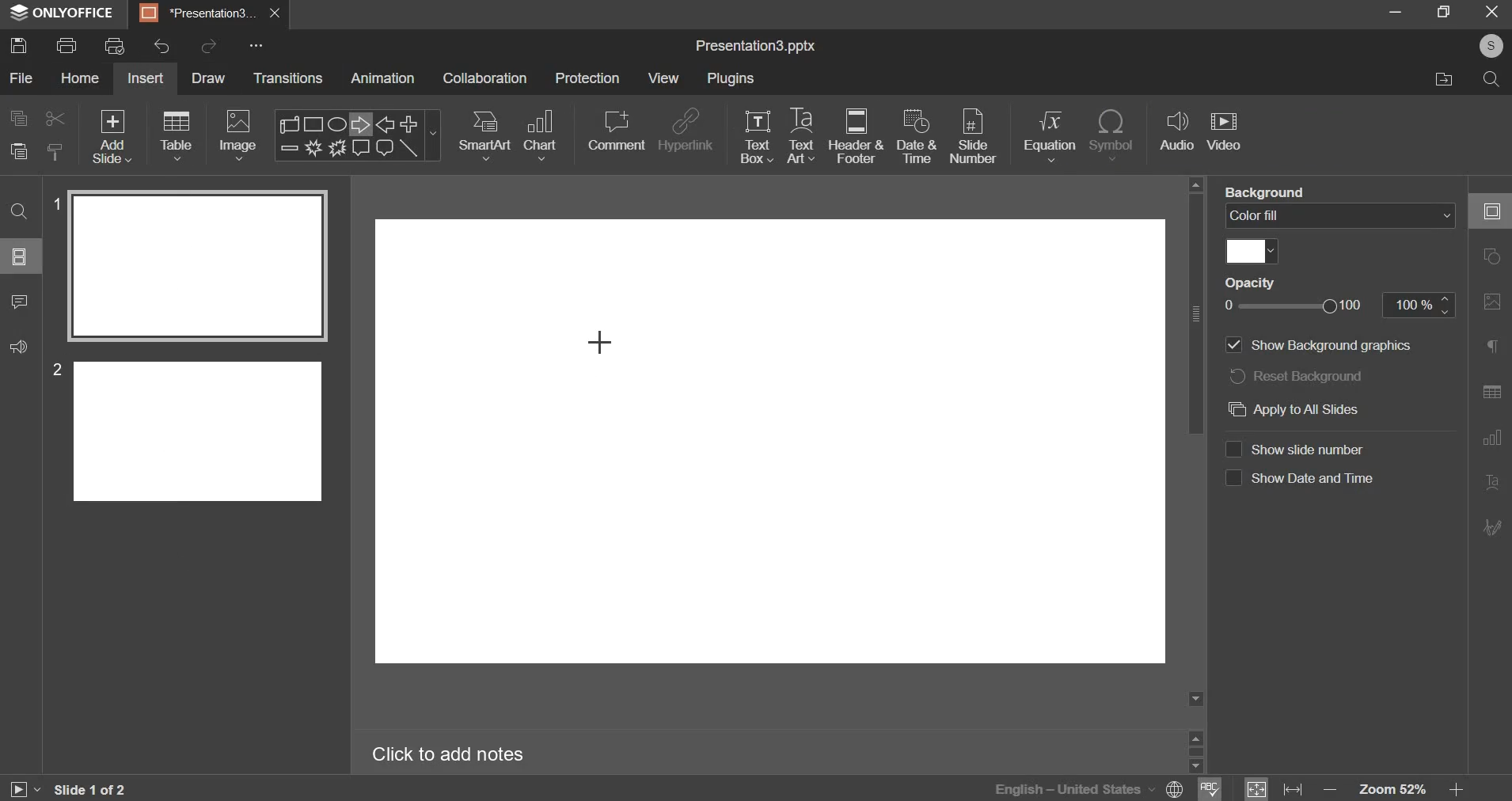 This screenshot has width=1512, height=801. I want to click on table, so click(178, 135).